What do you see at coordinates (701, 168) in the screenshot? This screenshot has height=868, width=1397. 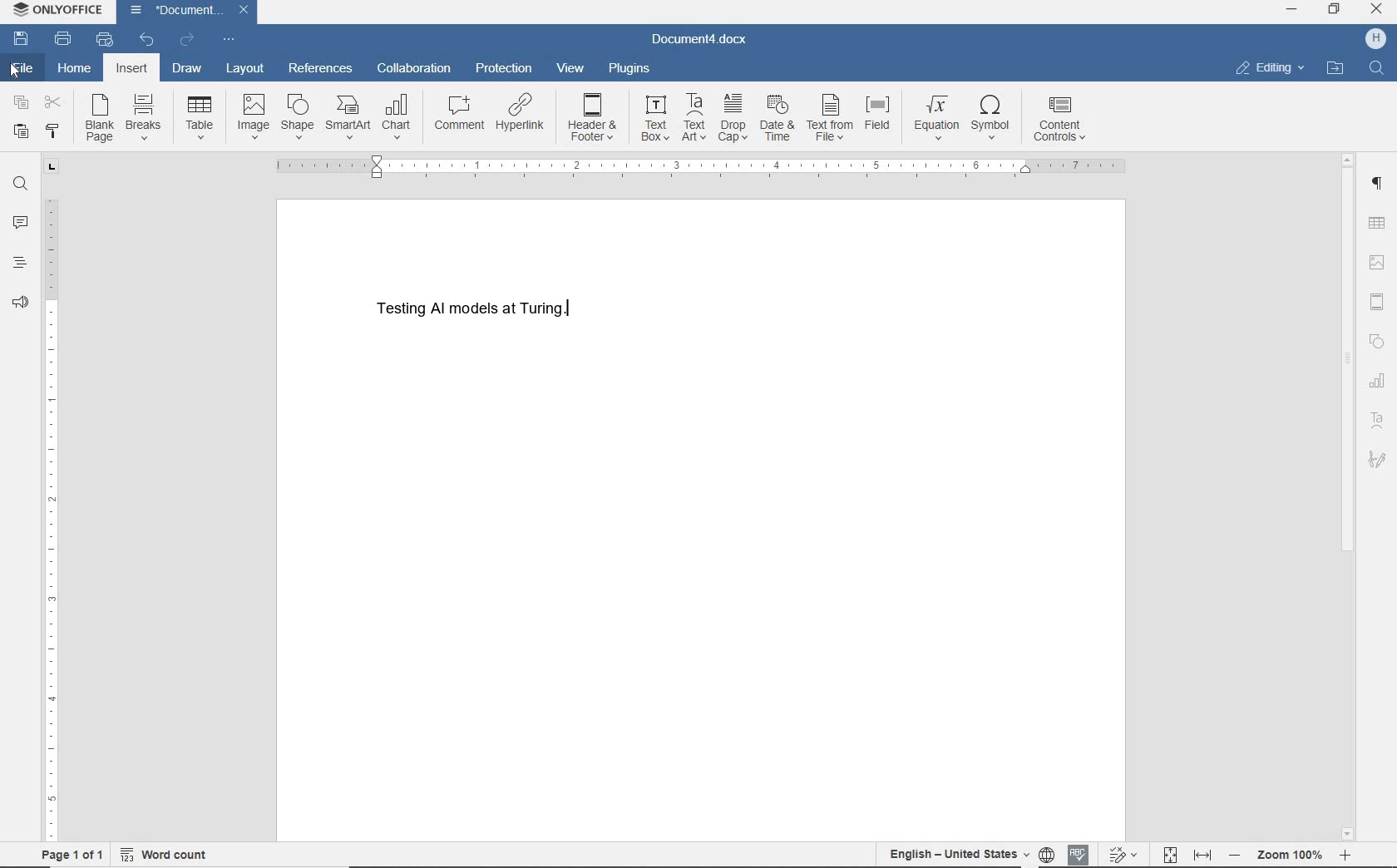 I see `ruler` at bounding box center [701, 168].